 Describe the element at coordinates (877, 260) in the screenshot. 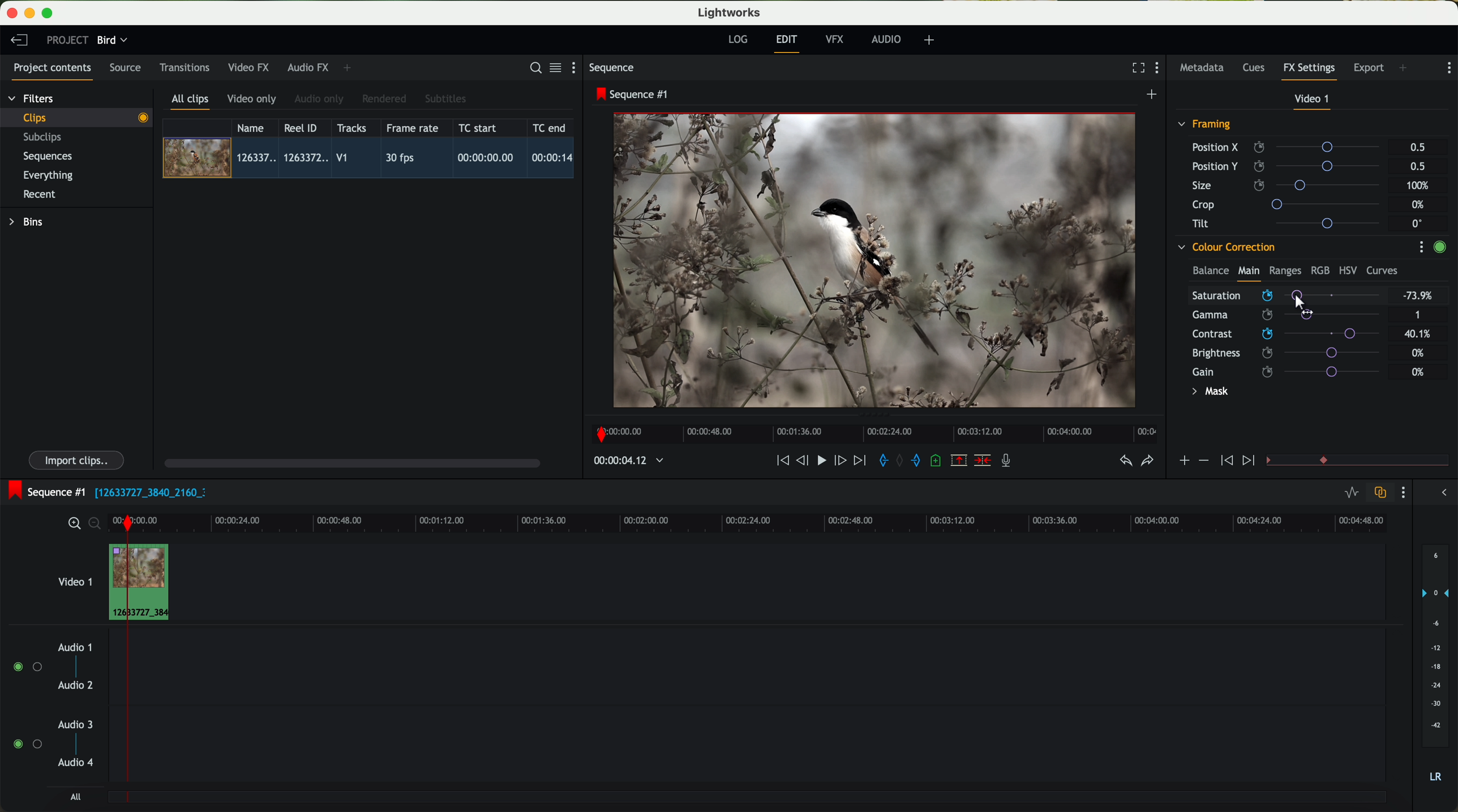

I see `applied effect` at that location.